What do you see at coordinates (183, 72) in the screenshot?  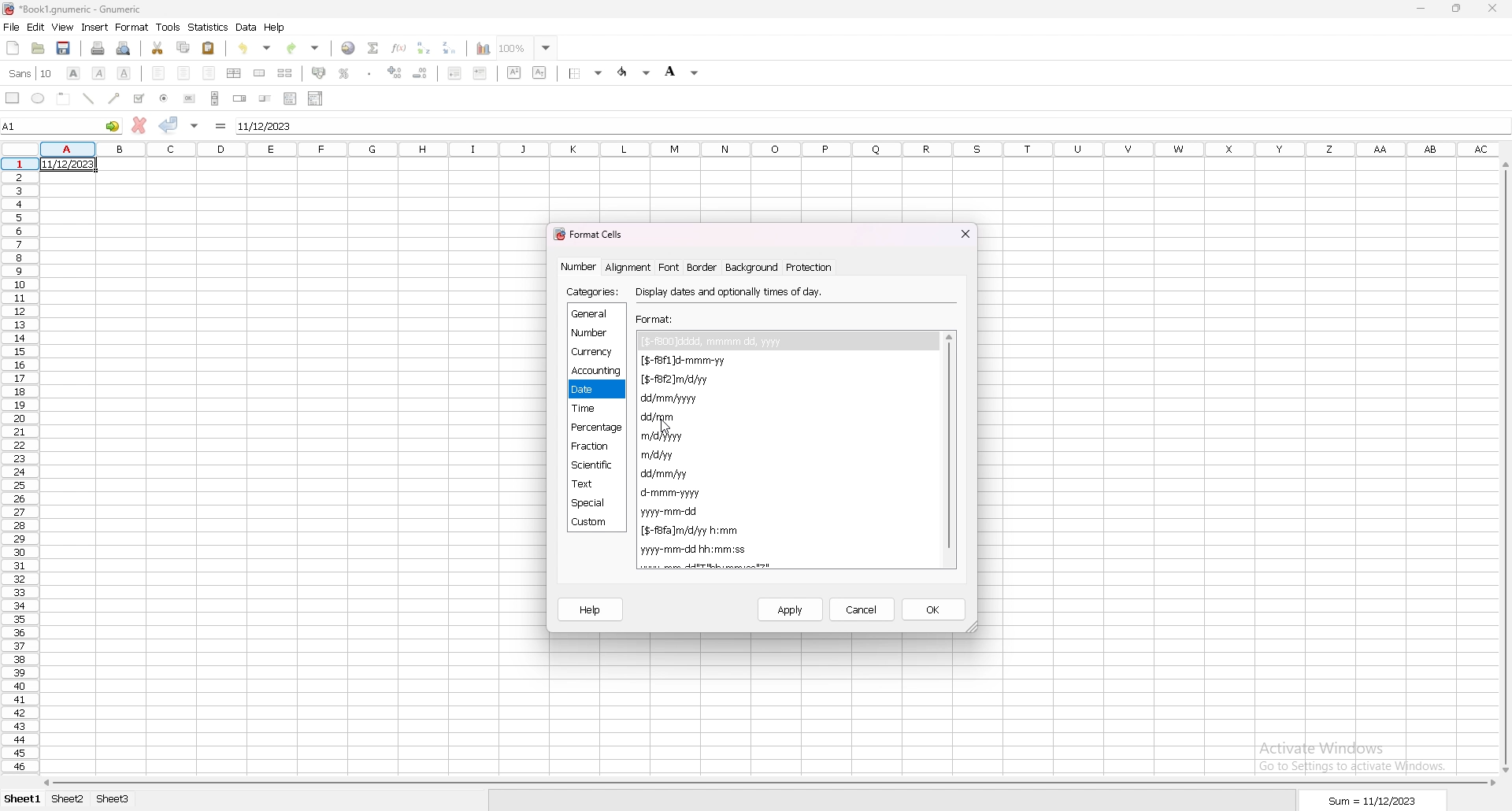 I see `centre` at bounding box center [183, 72].